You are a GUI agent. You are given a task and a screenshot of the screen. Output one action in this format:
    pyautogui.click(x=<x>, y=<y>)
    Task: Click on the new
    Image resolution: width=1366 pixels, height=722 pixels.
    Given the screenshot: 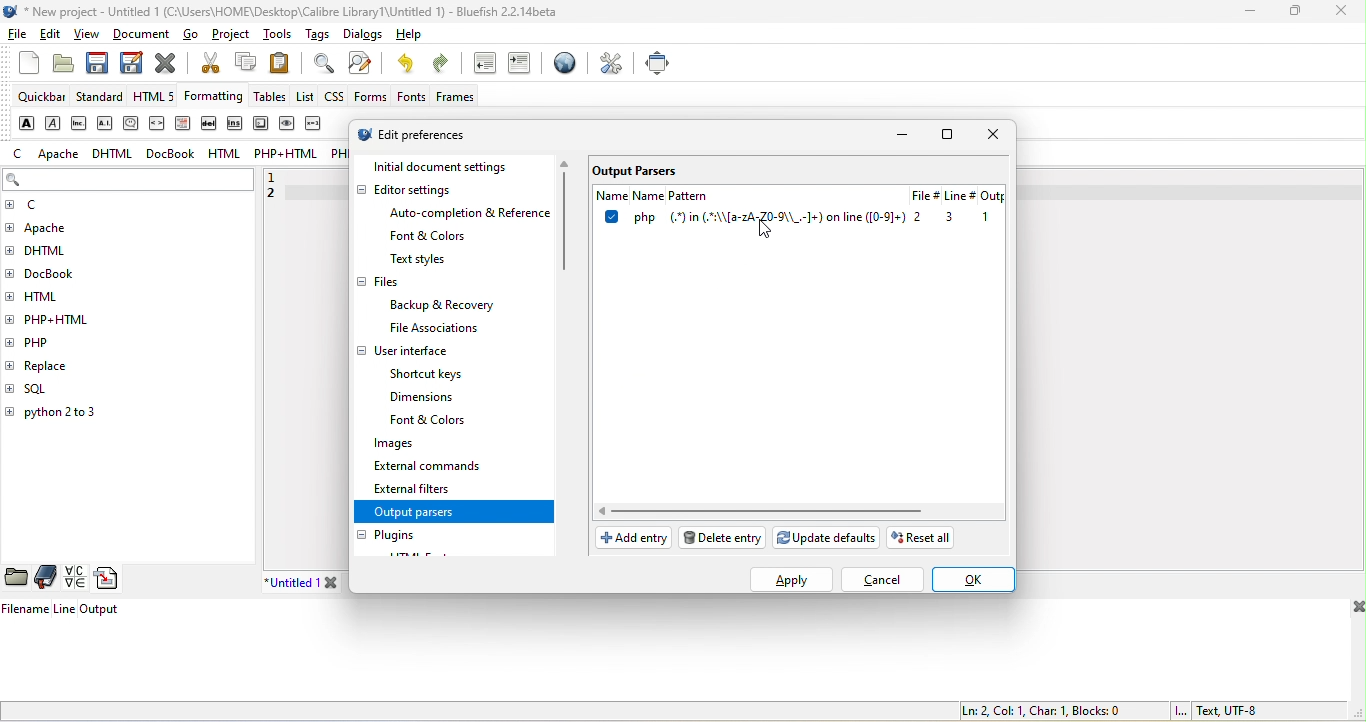 What is the action you would take?
    pyautogui.click(x=20, y=69)
    